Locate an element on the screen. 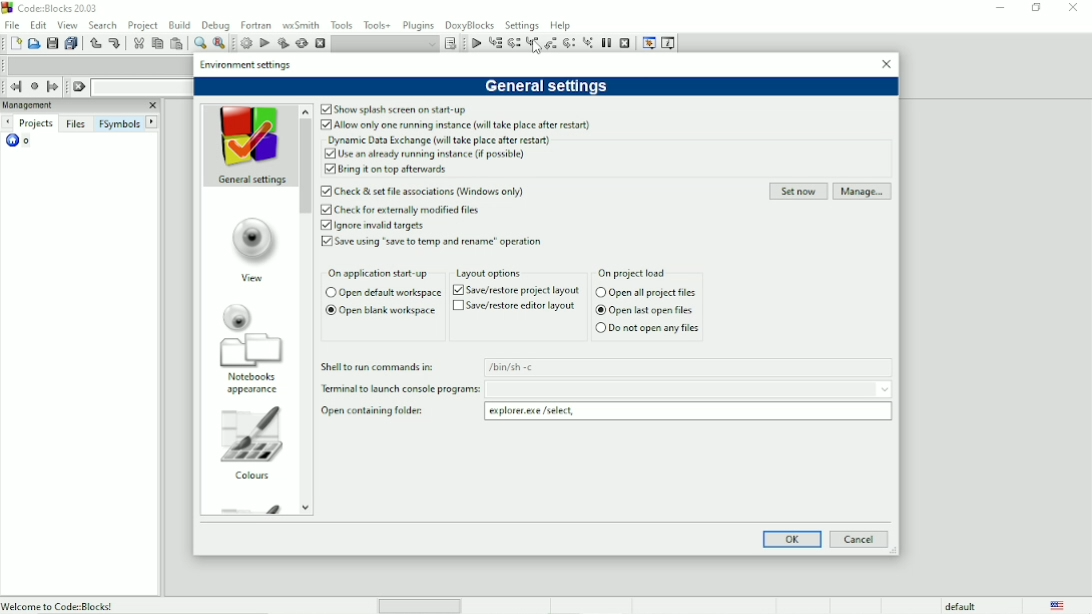  dropdown is located at coordinates (884, 389).